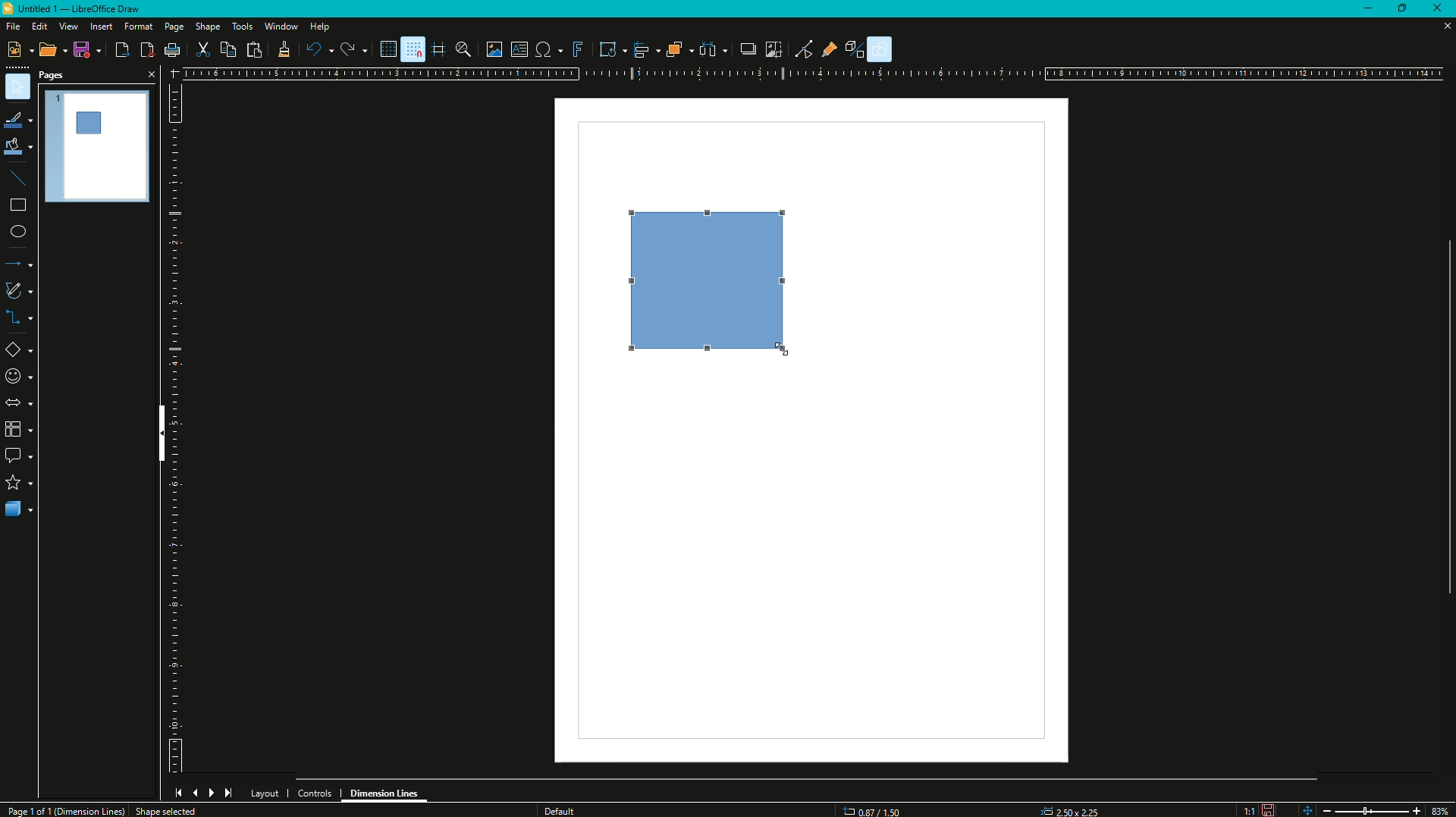 Image resolution: width=1456 pixels, height=817 pixels. What do you see at coordinates (17, 208) in the screenshot?
I see `Rectangle` at bounding box center [17, 208].